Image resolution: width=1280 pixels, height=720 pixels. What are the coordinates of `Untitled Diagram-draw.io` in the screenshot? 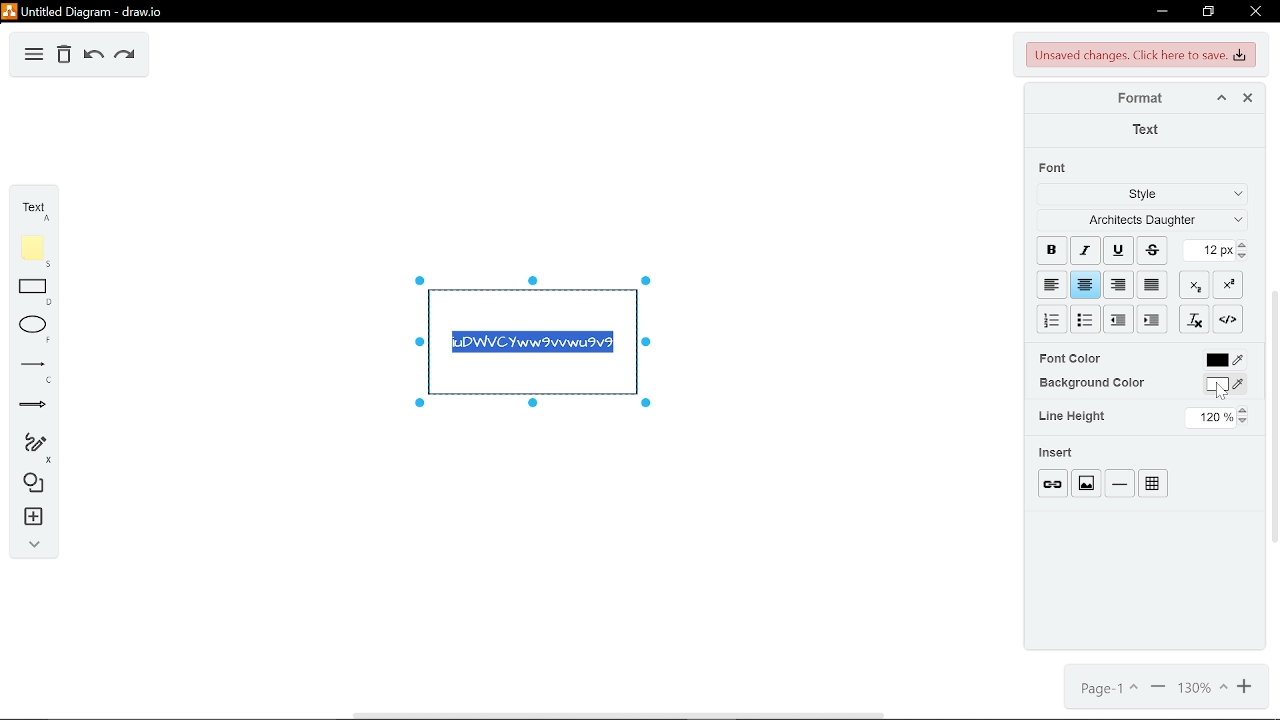 It's located at (86, 11).